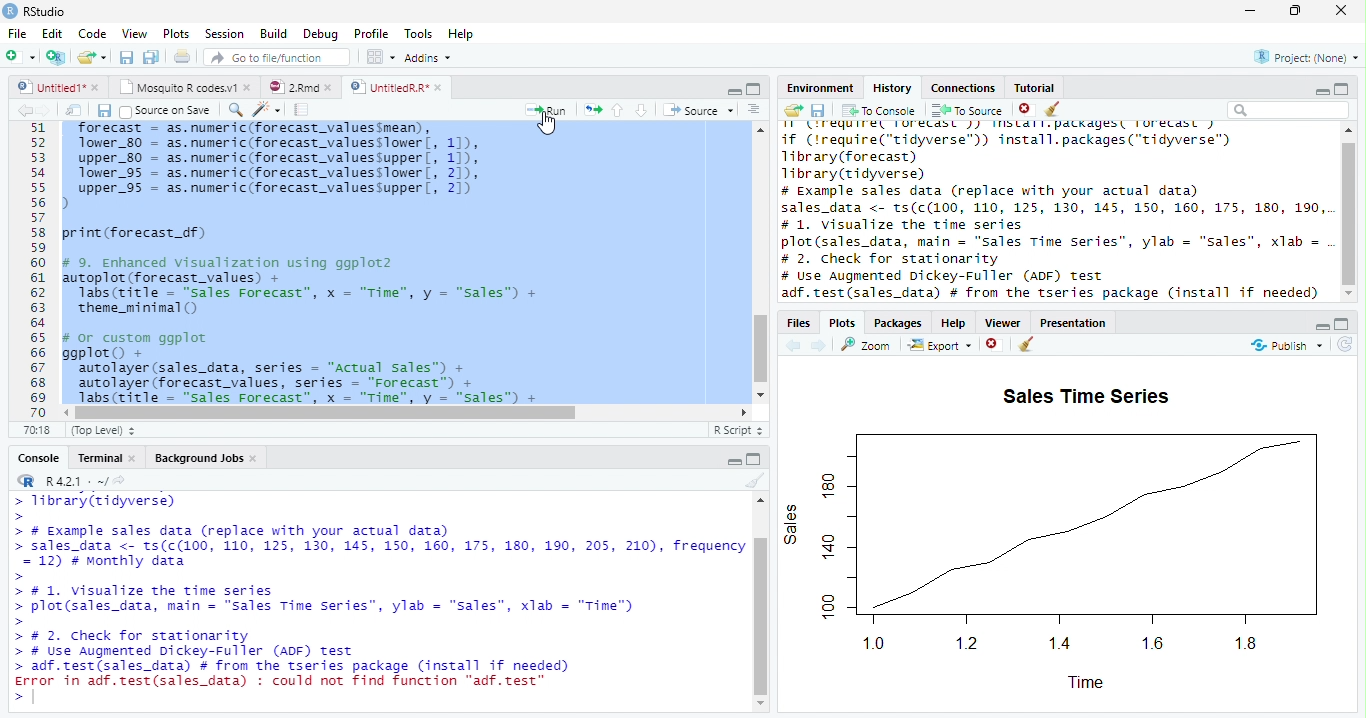 The width and height of the screenshot is (1366, 718). What do you see at coordinates (1343, 11) in the screenshot?
I see `Close` at bounding box center [1343, 11].